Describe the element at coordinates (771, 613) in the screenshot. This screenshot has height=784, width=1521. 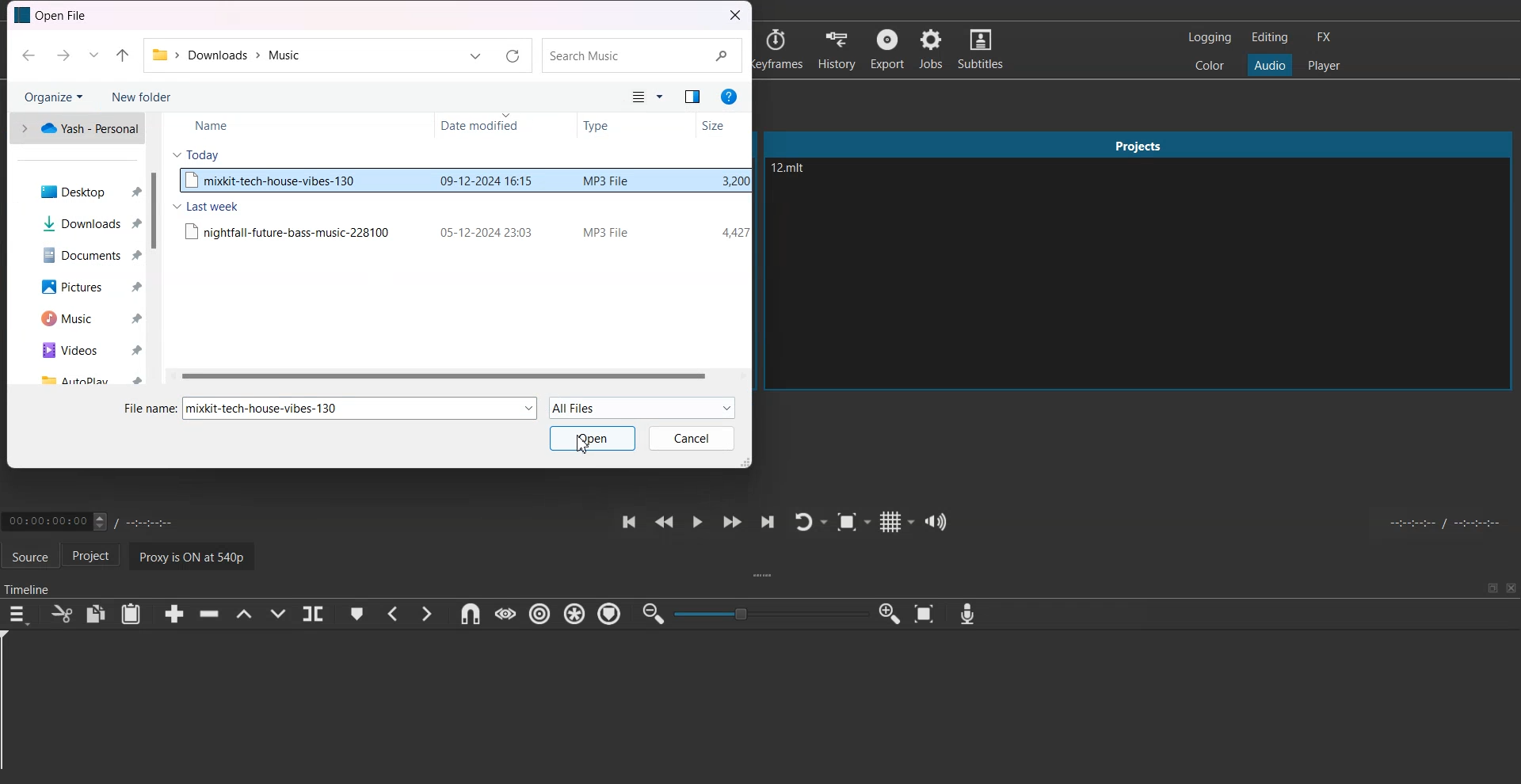
I see `Toggle adjuster` at that location.